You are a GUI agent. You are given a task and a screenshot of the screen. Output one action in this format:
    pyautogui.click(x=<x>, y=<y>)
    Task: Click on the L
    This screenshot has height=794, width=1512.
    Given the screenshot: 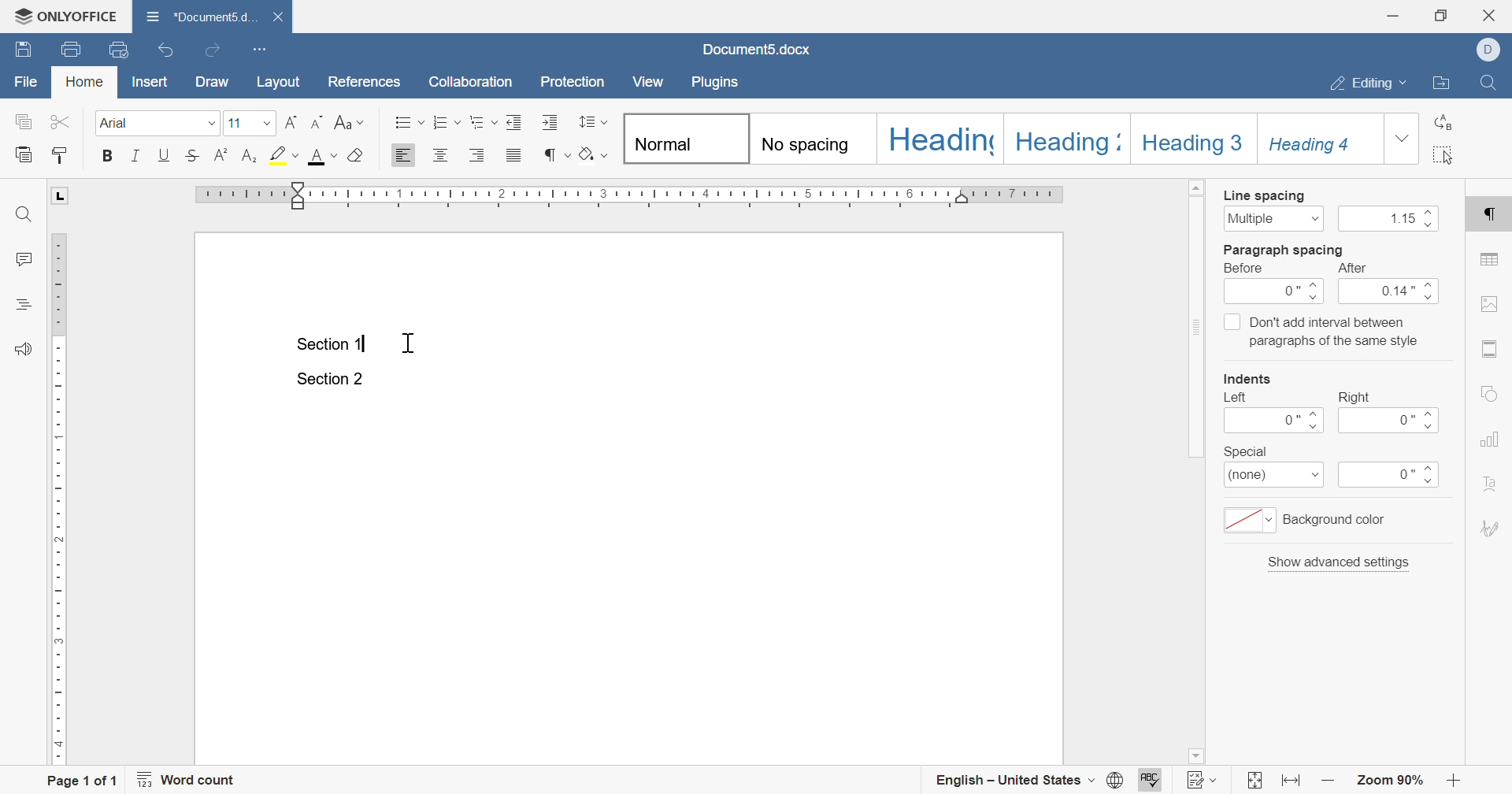 What is the action you would take?
    pyautogui.click(x=61, y=196)
    